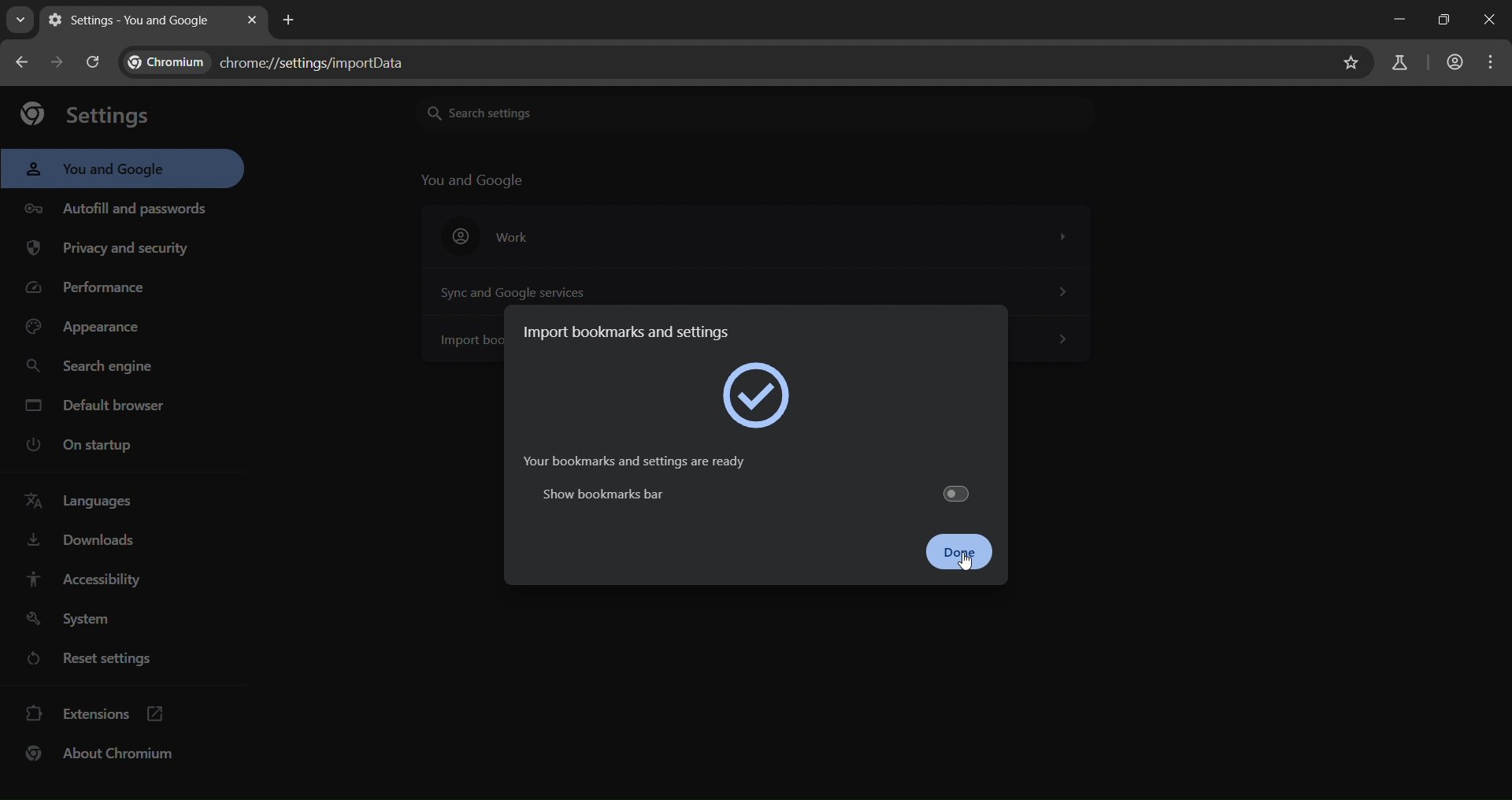 The height and width of the screenshot is (800, 1512). What do you see at coordinates (285, 20) in the screenshot?
I see `new tab` at bounding box center [285, 20].